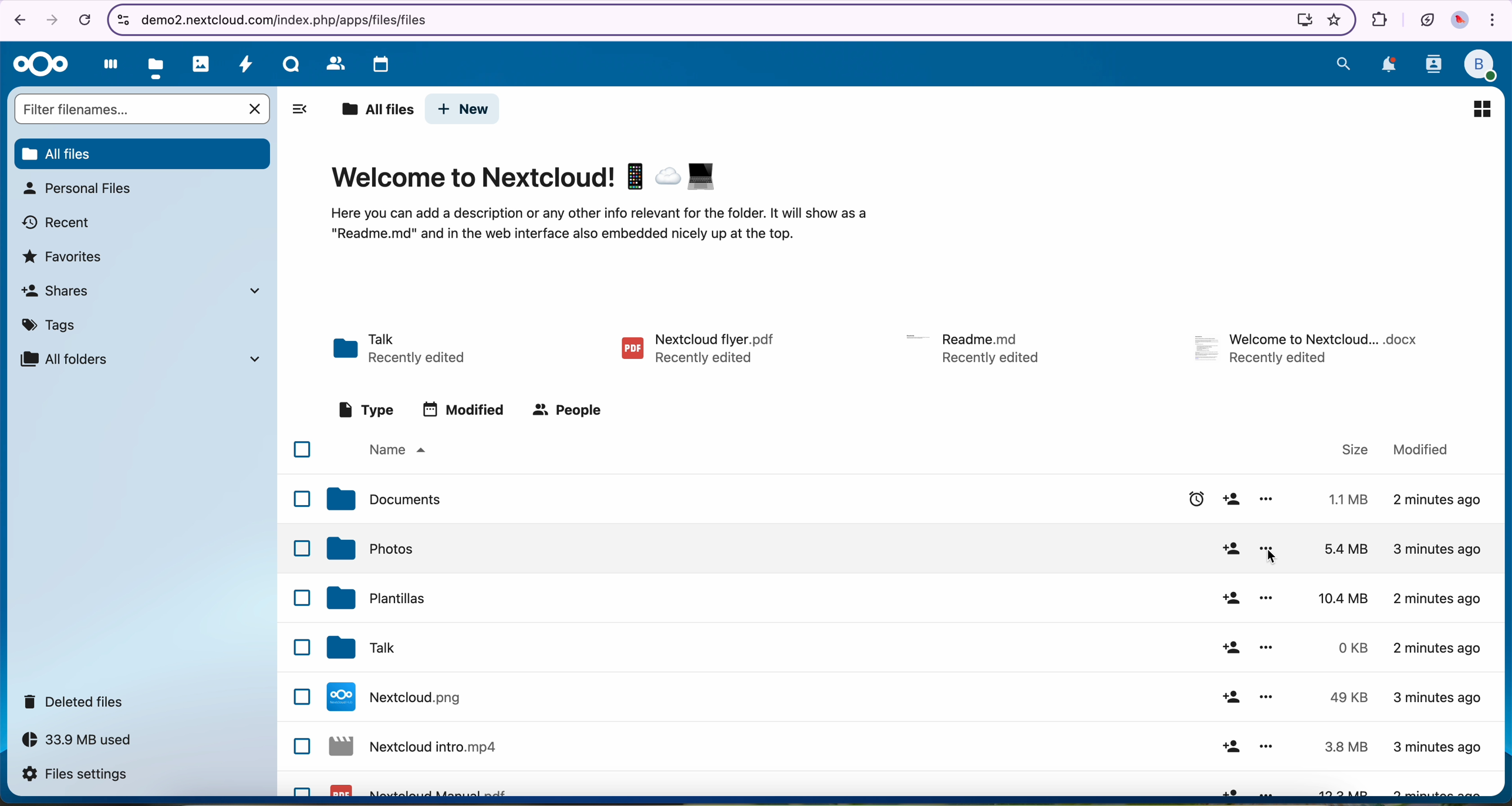 This screenshot has height=806, width=1512. Describe the element at coordinates (1193, 499) in the screenshot. I see `enable reminder` at that location.